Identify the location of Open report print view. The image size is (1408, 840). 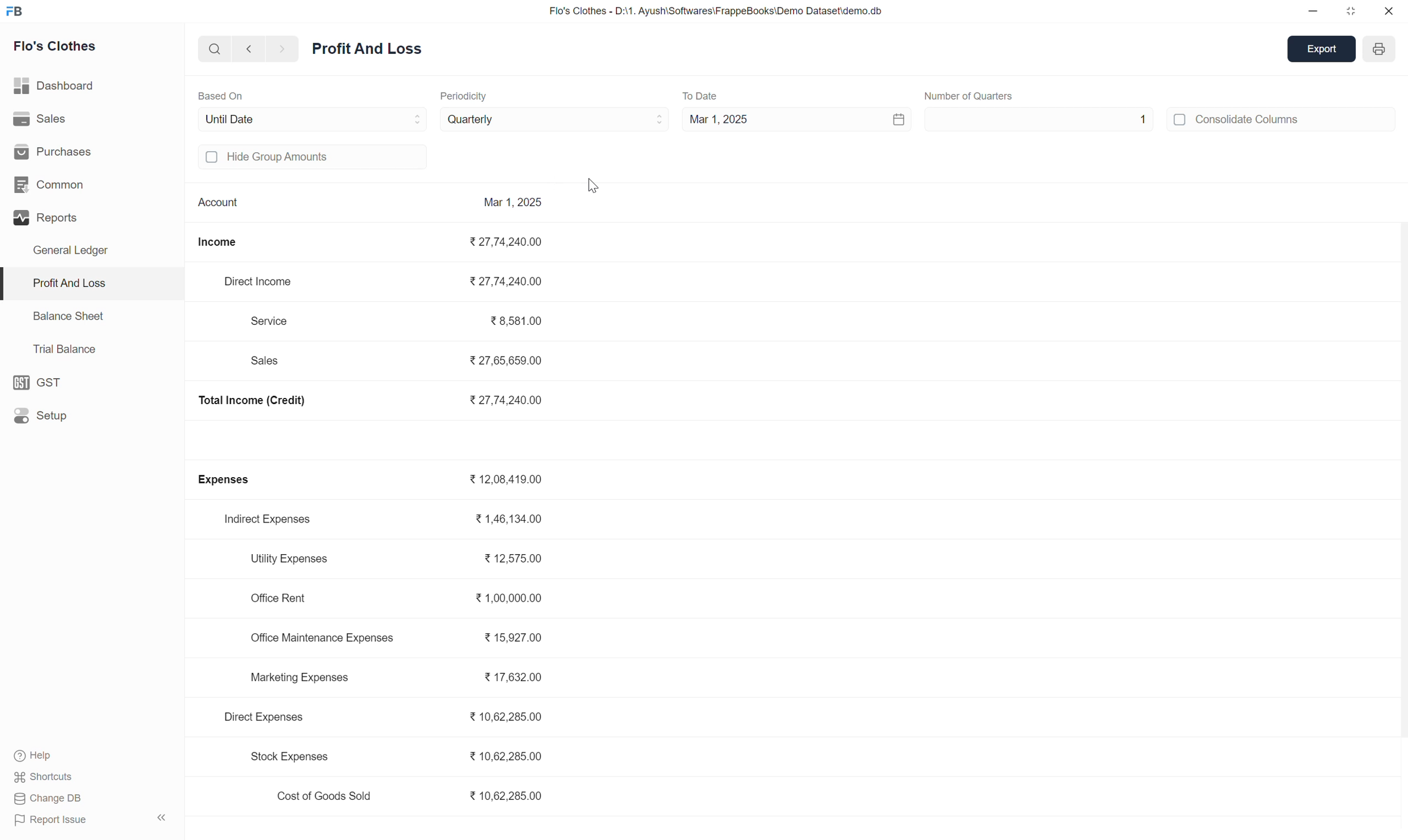
(1377, 49).